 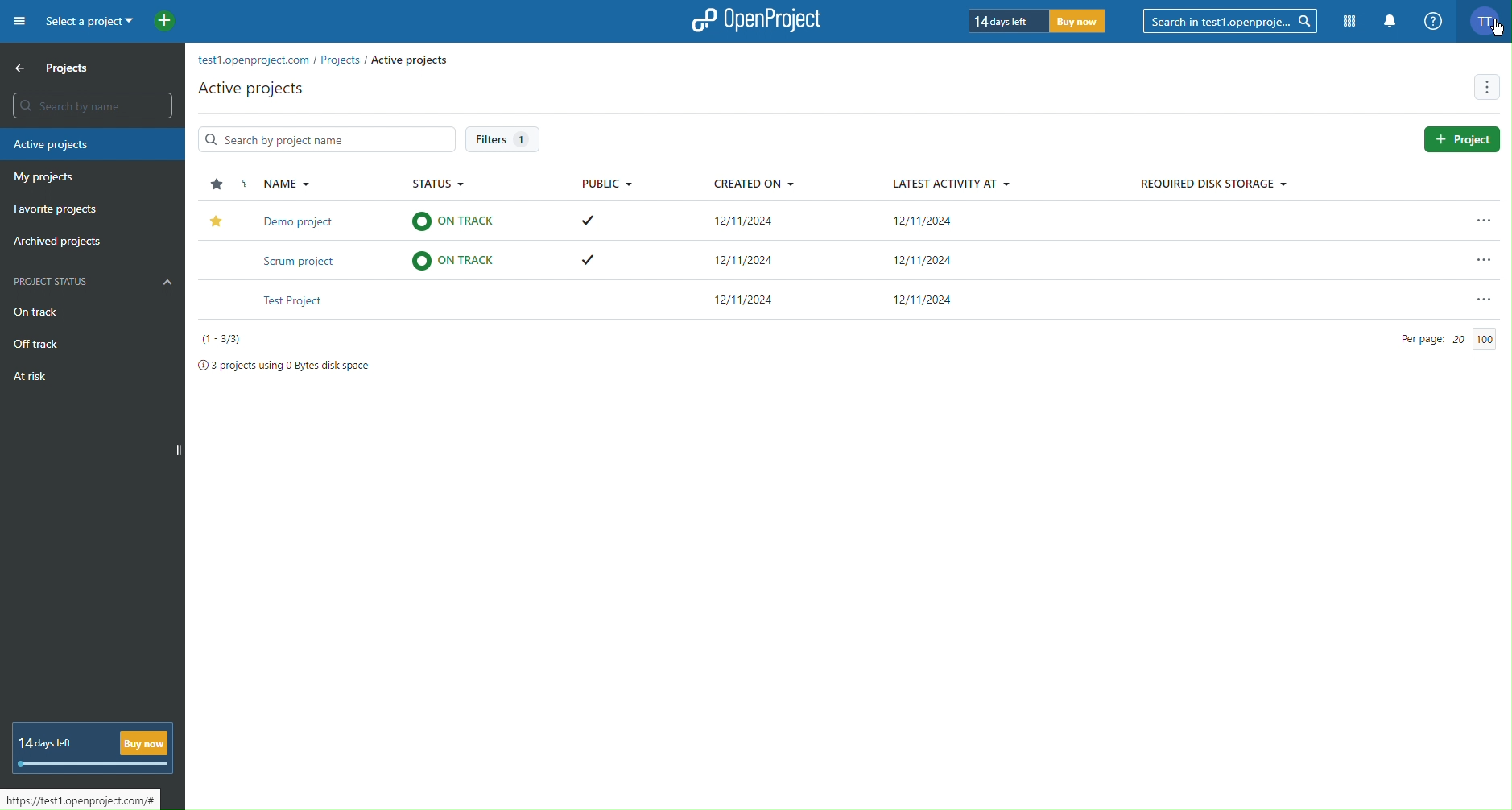 What do you see at coordinates (591, 220) in the screenshot?
I see `Tick` at bounding box center [591, 220].